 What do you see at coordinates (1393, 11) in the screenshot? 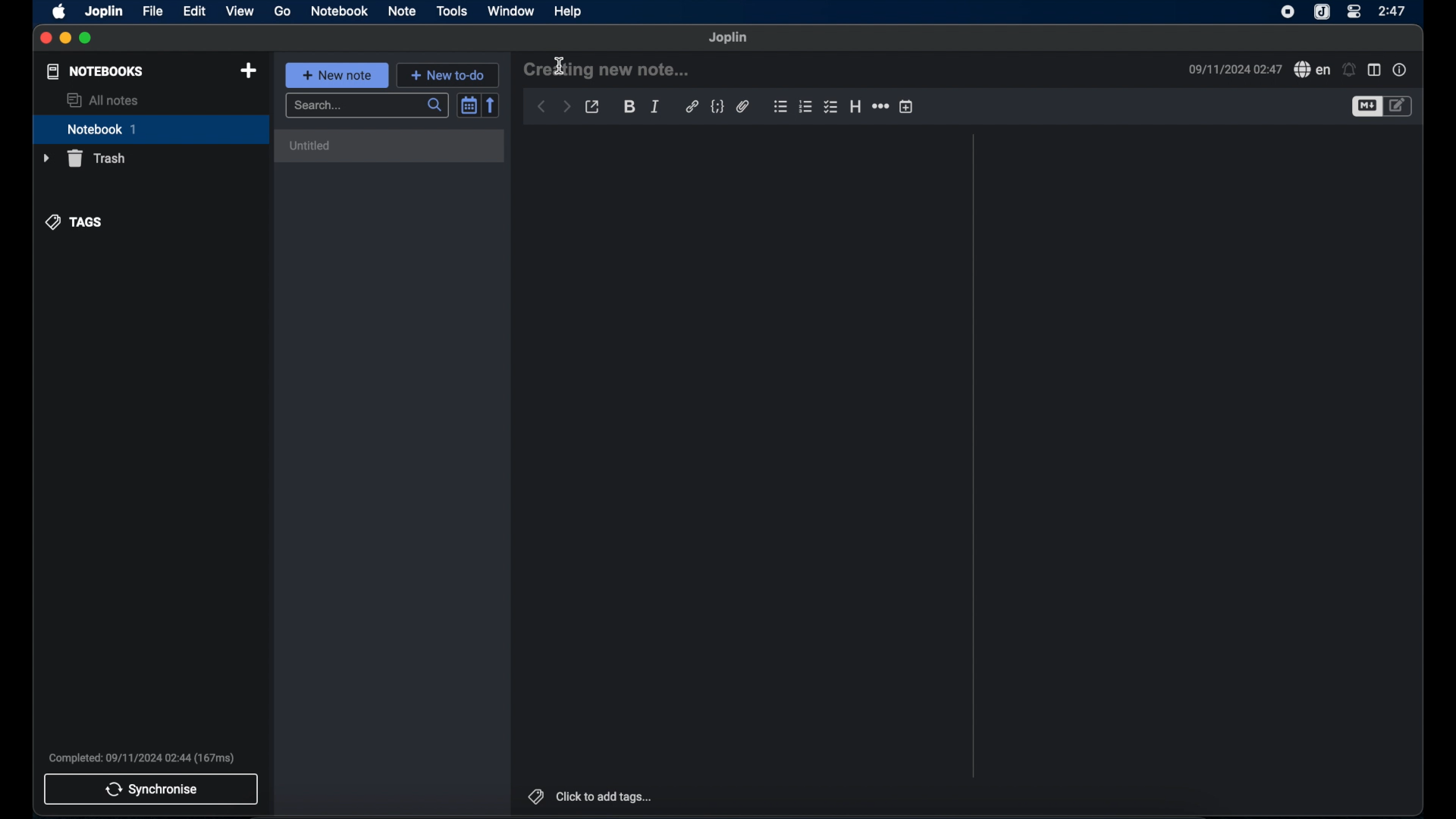
I see `2:47` at bounding box center [1393, 11].